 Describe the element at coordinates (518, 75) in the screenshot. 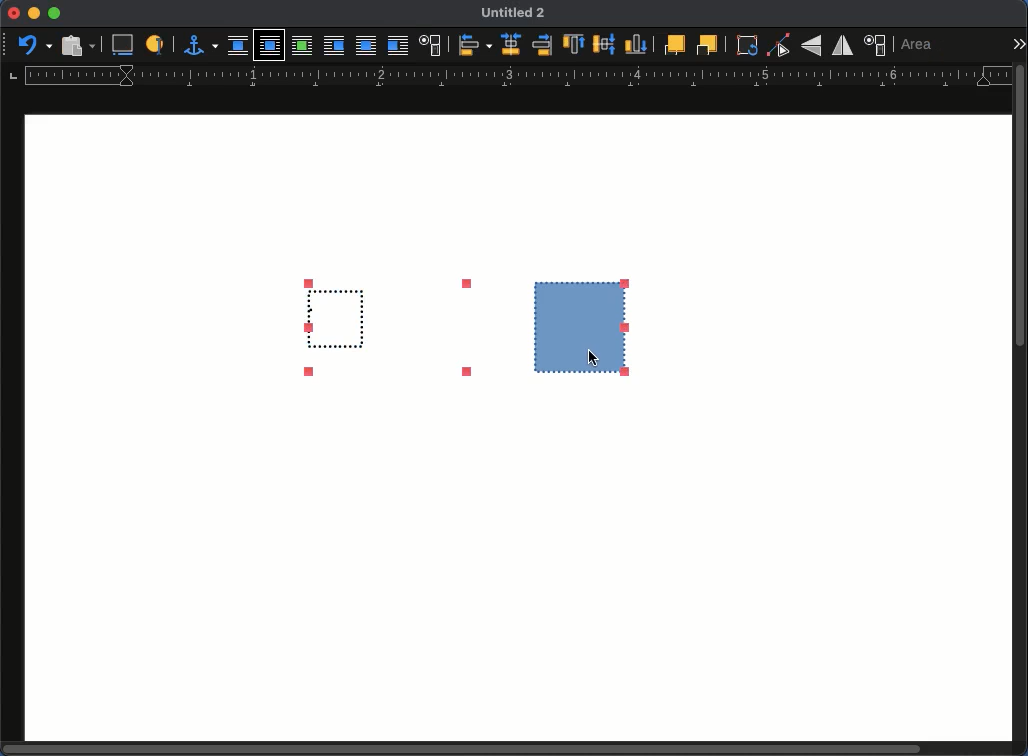

I see `guide` at that location.